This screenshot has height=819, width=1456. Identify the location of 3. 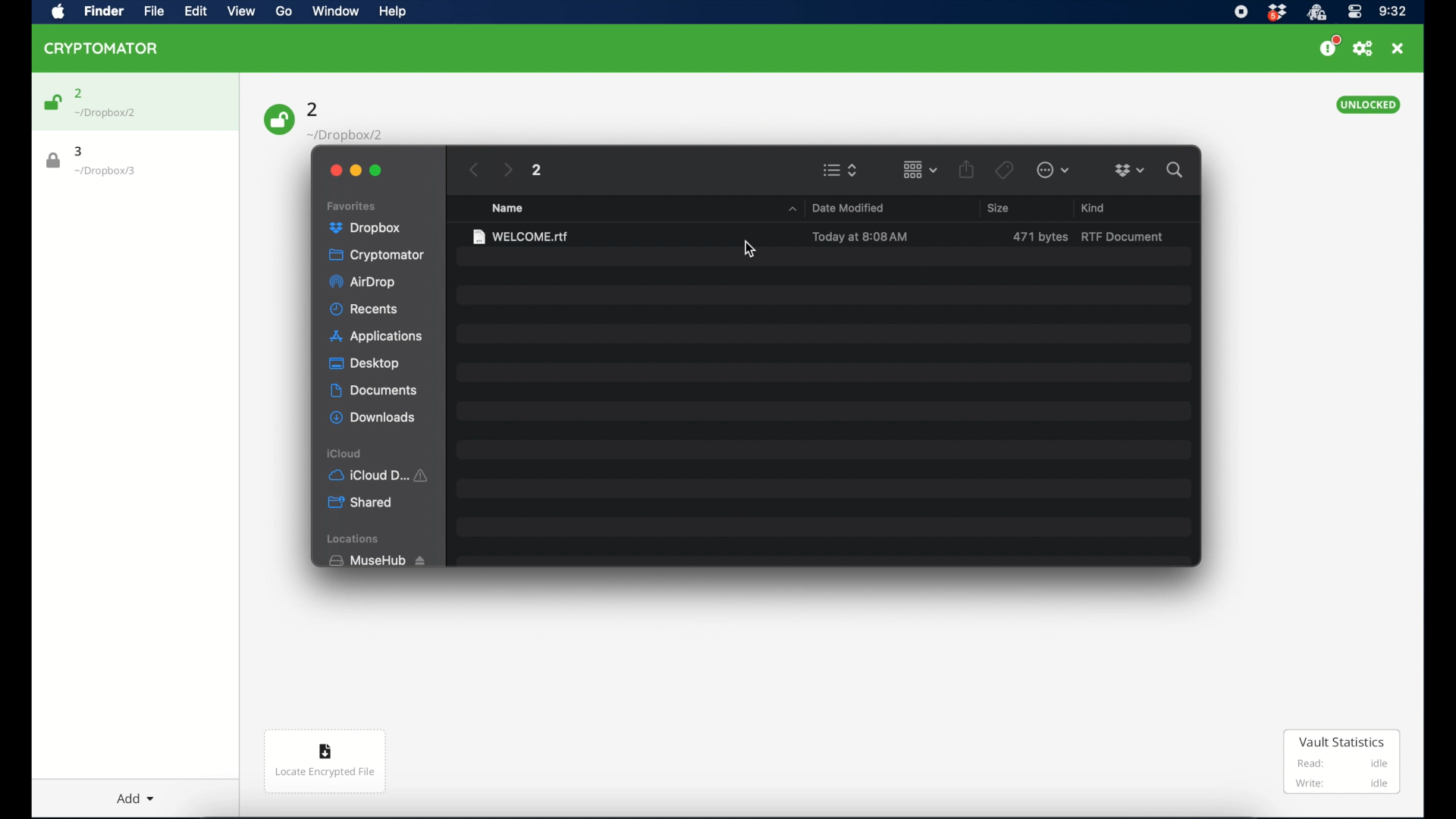
(83, 151).